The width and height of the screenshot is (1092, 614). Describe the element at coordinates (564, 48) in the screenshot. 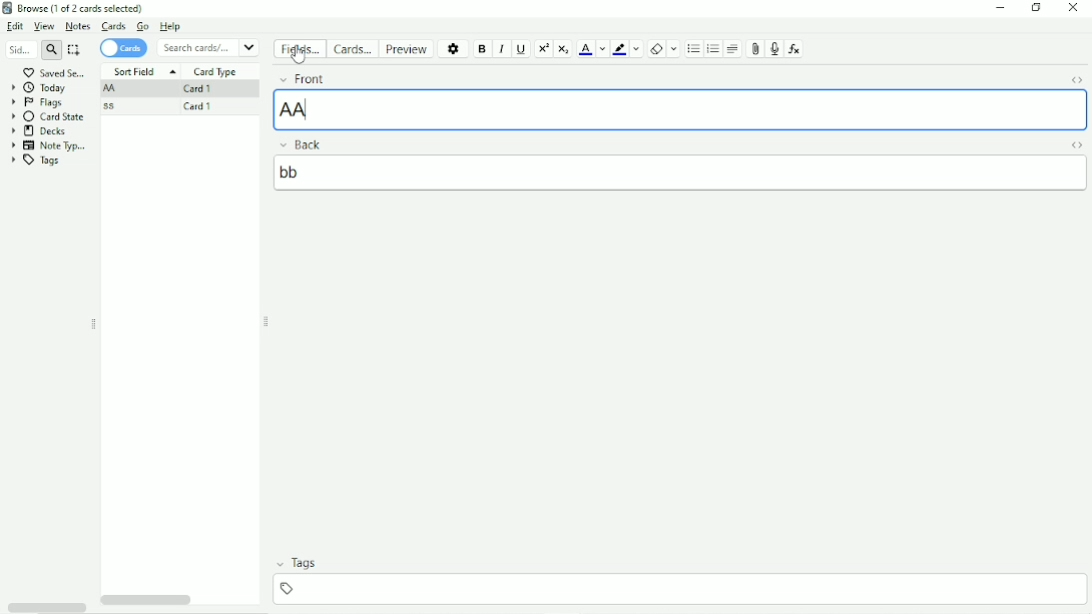

I see `Subscript` at that location.